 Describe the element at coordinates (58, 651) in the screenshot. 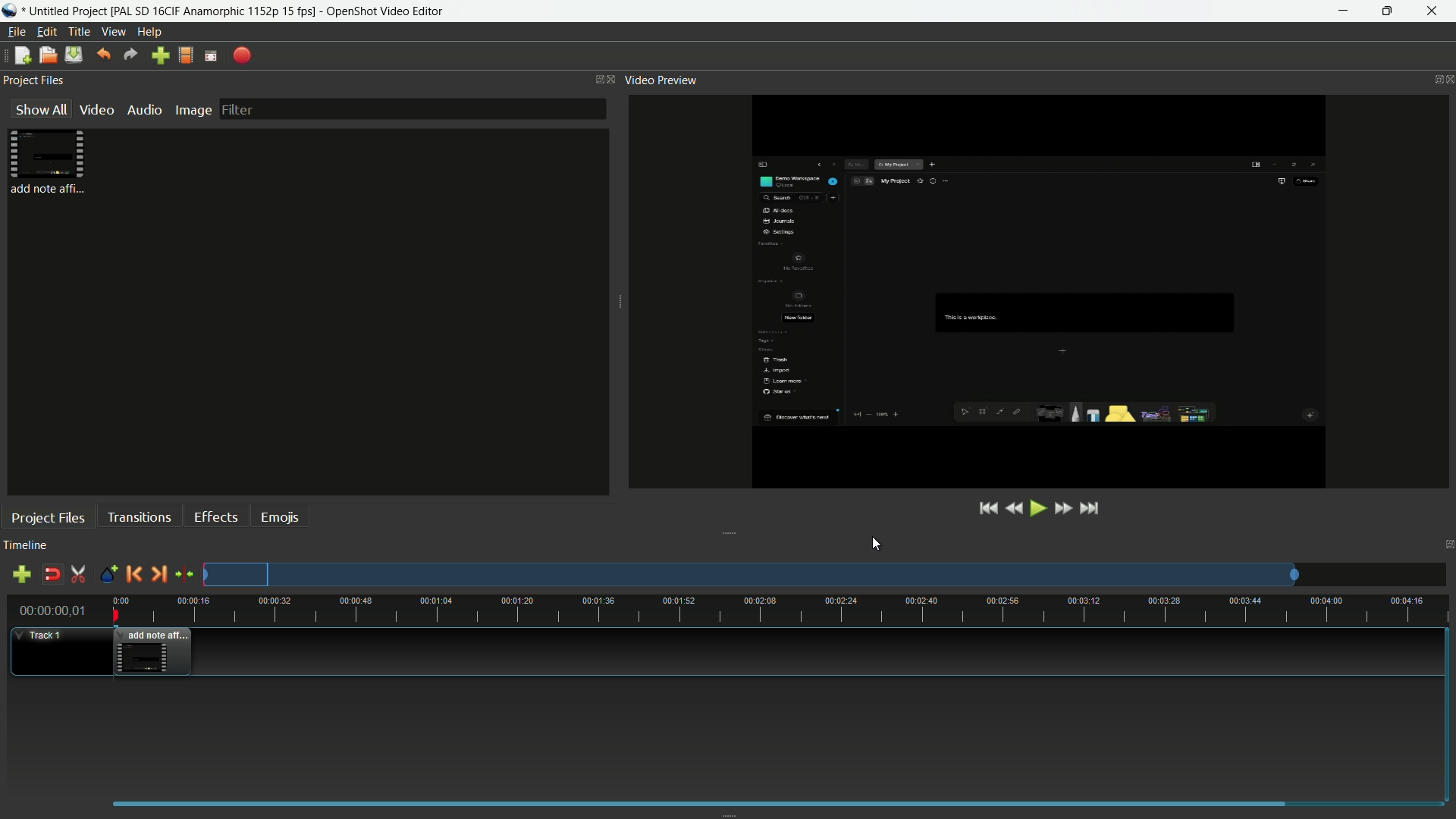

I see `track-1` at that location.